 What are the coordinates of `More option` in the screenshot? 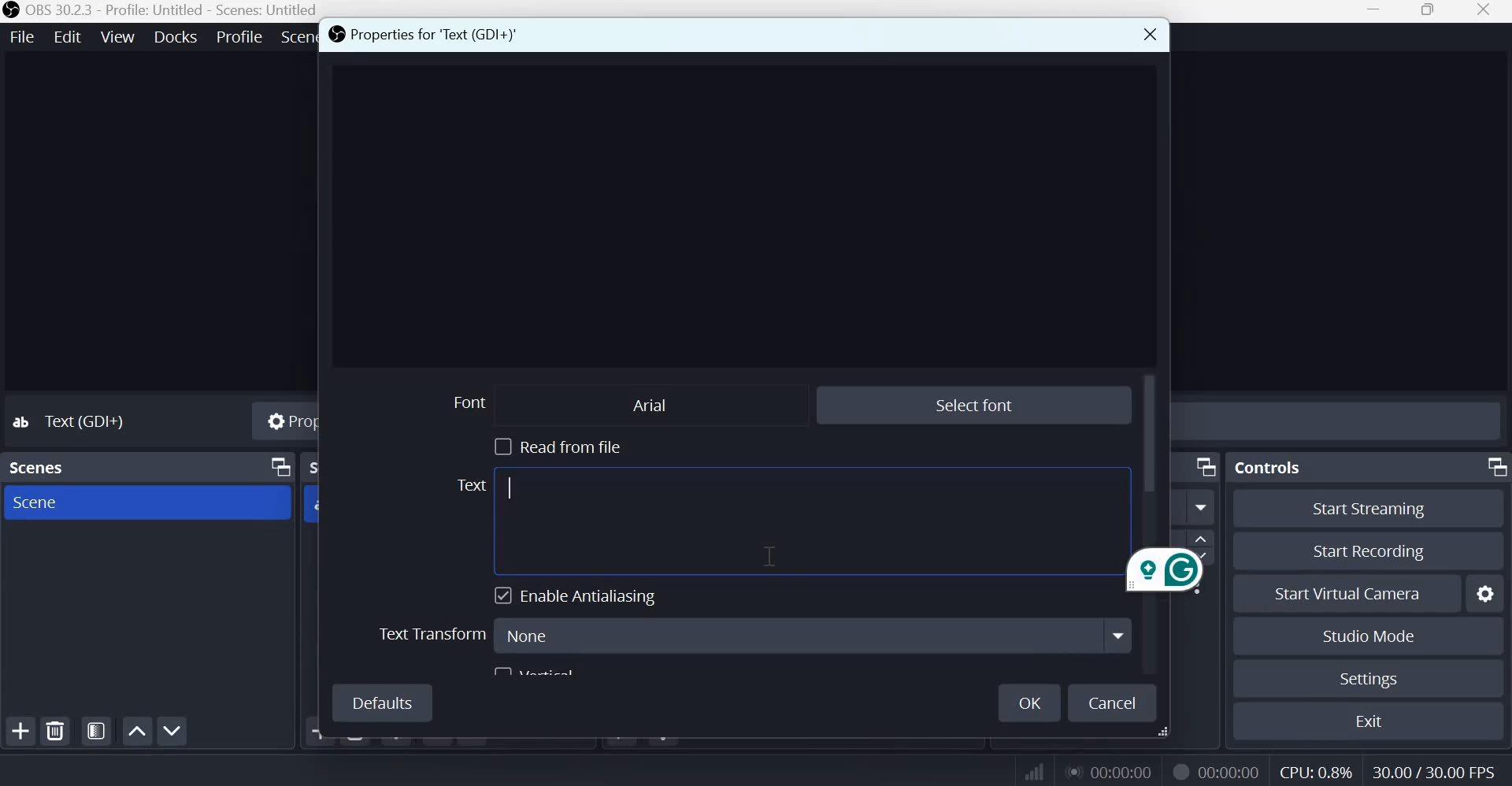 It's located at (1202, 507).